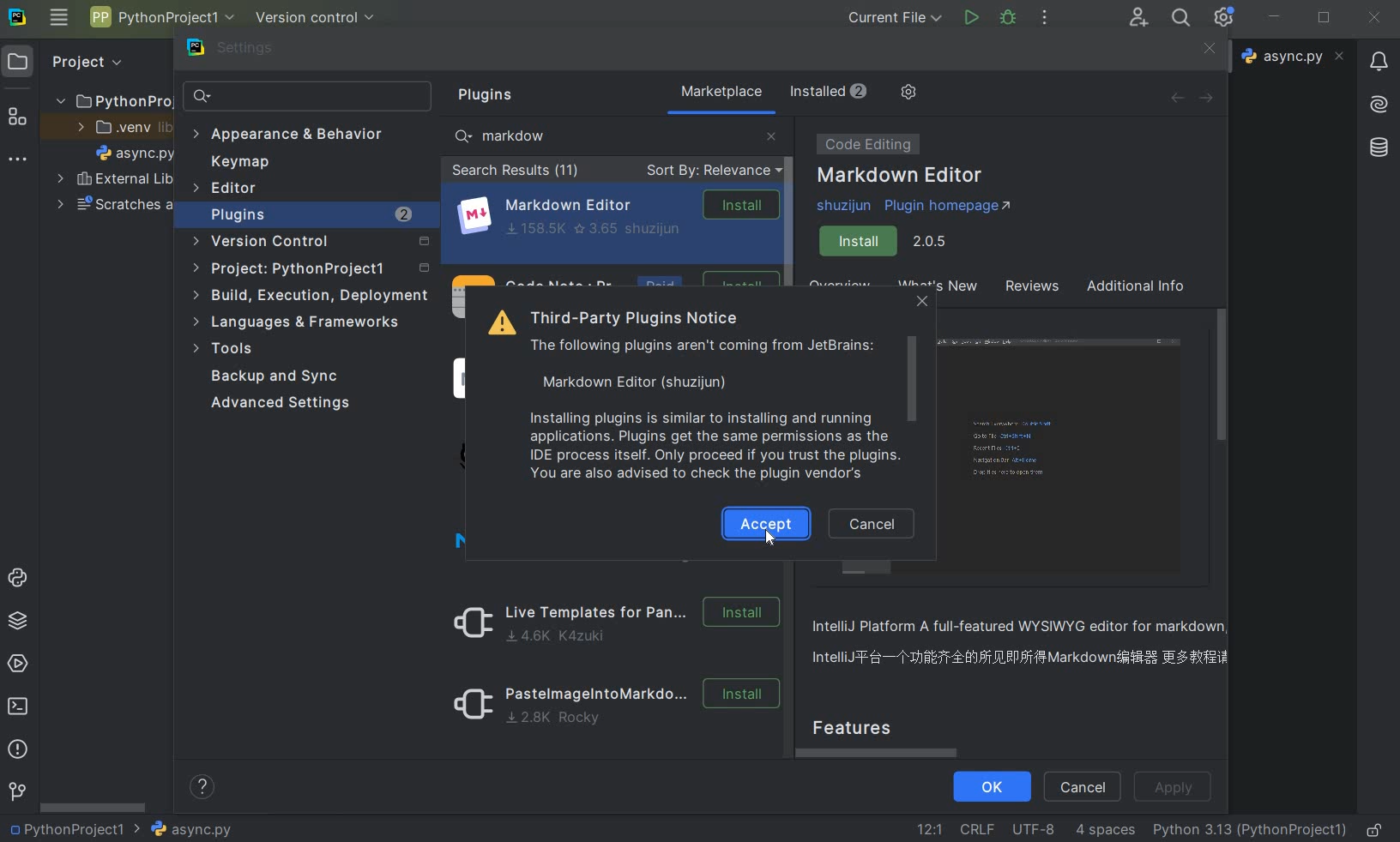  I want to click on indent, so click(1107, 832).